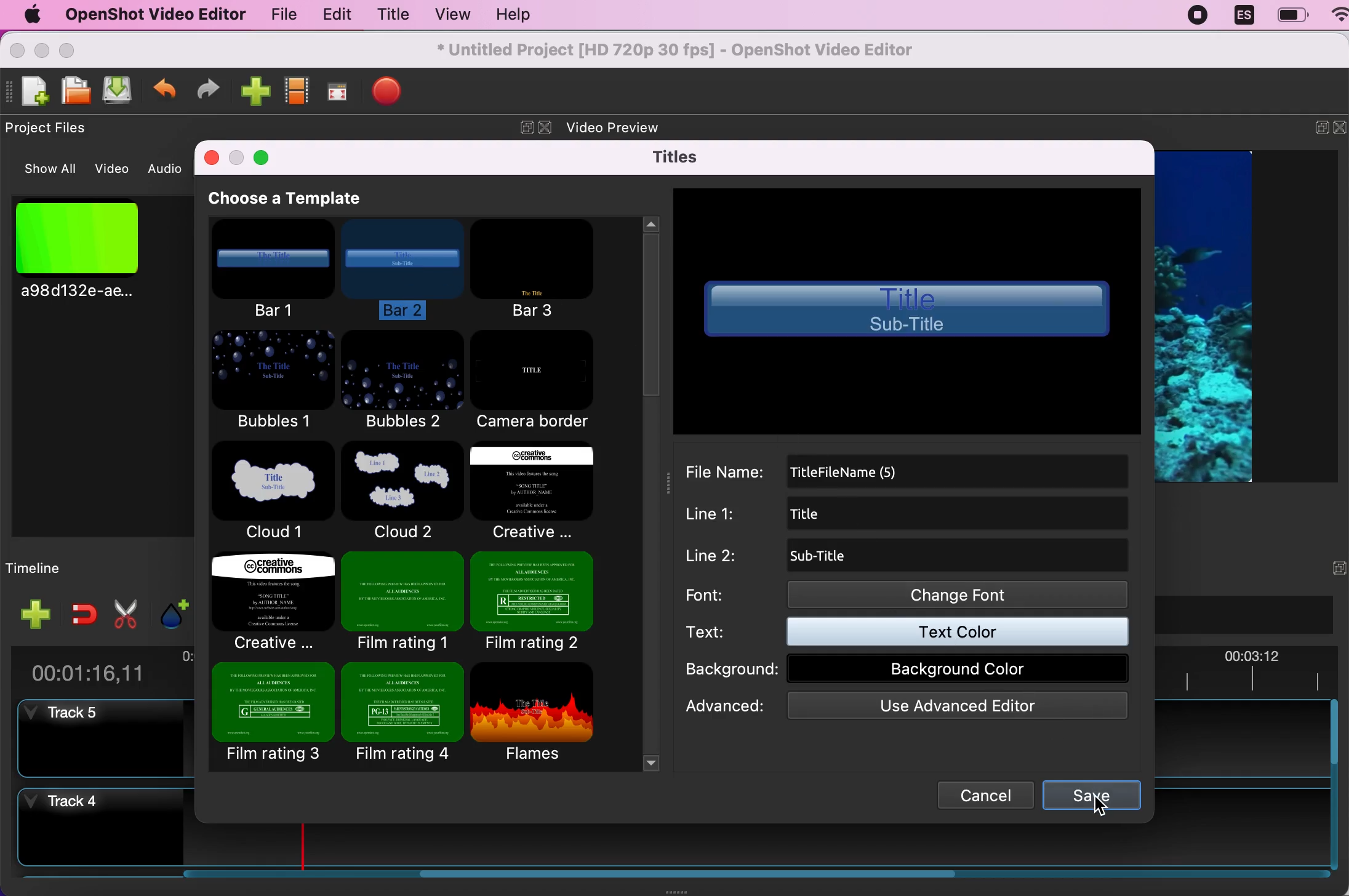  What do you see at coordinates (908, 468) in the screenshot?
I see `file name` at bounding box center [908, 468].